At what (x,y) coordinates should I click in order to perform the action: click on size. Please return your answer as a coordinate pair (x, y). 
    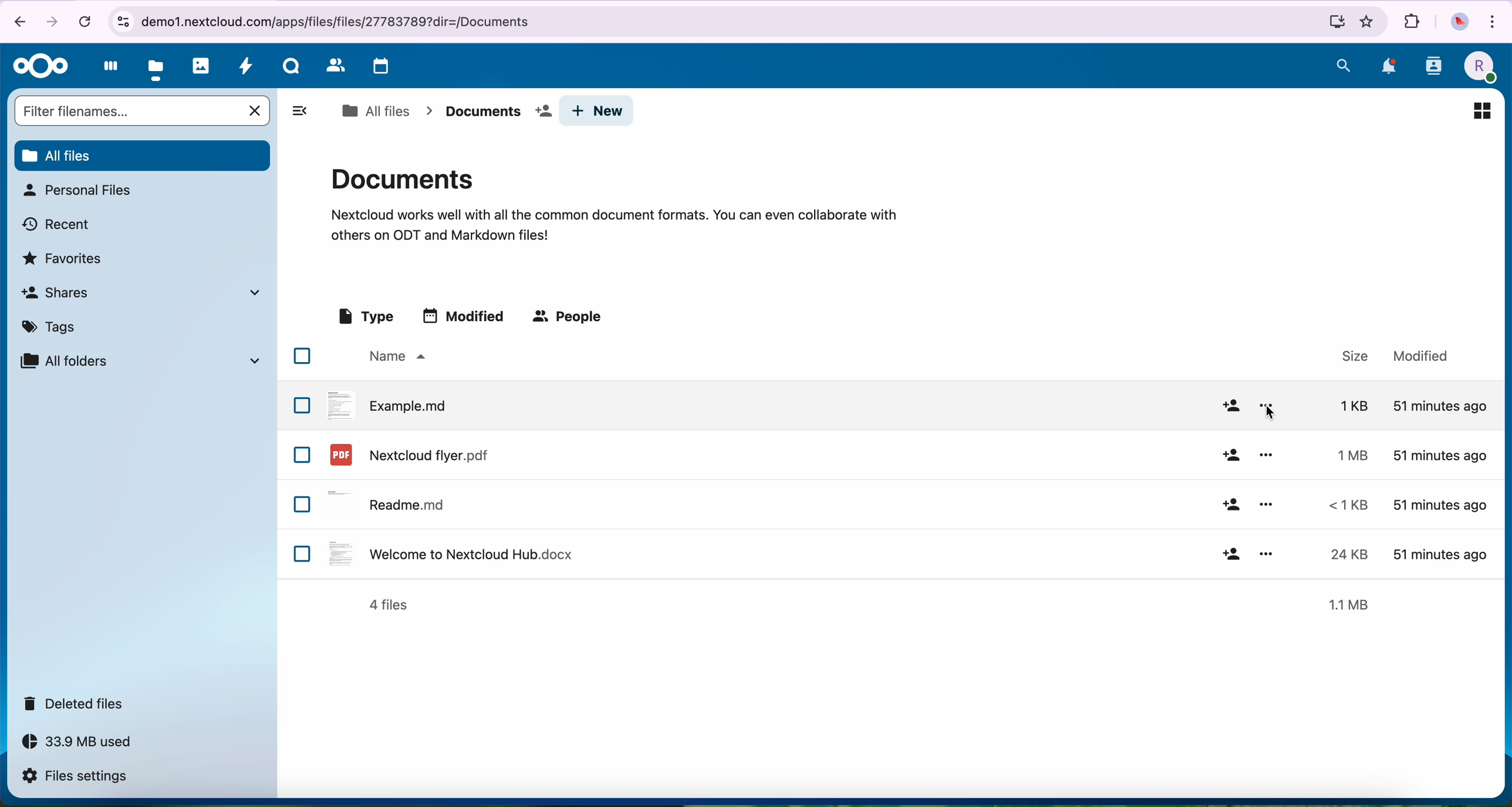
    Looking at the image, I should click on (1349, 555).